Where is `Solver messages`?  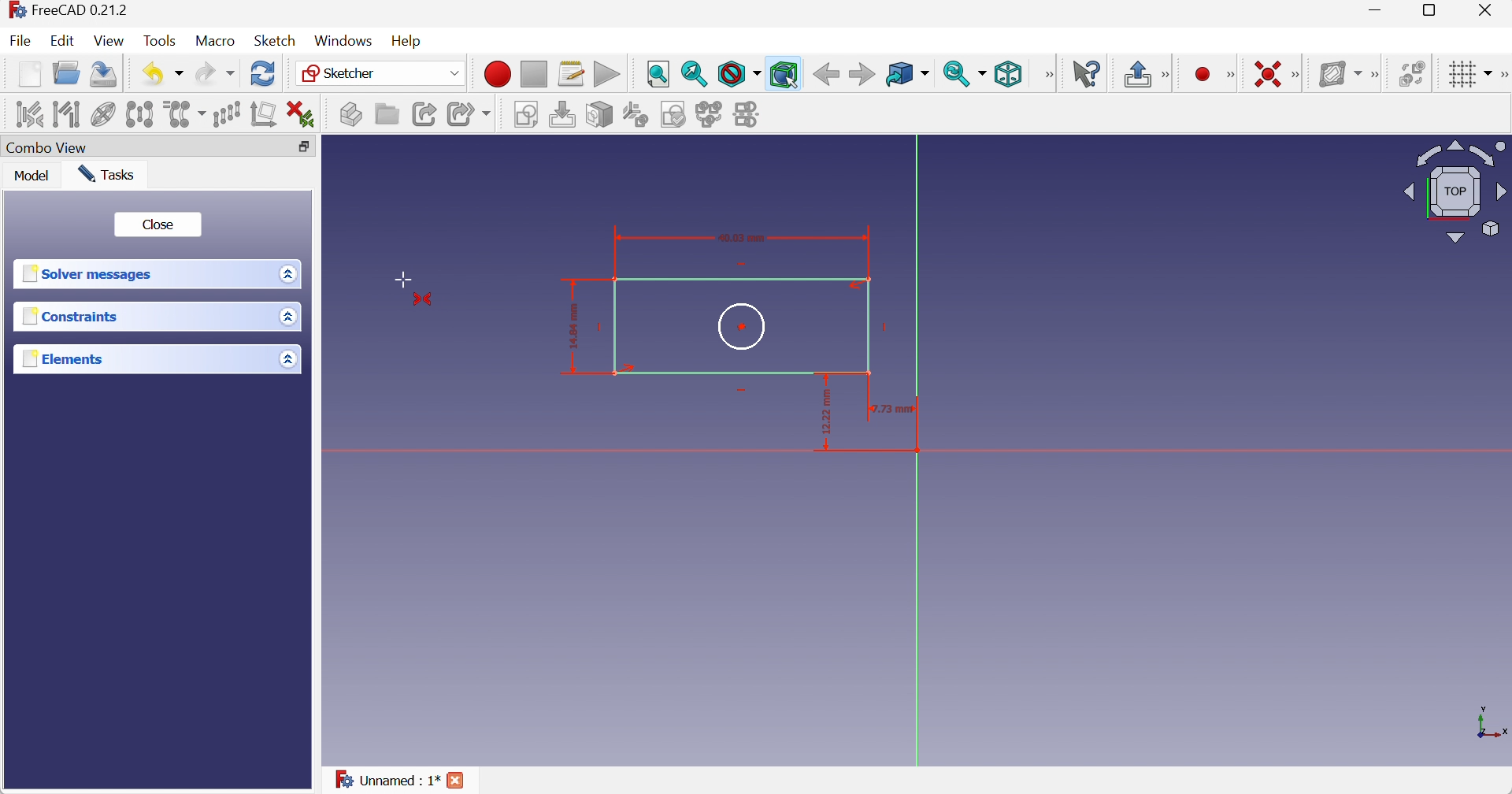 Solver messages is located at coordinates (90, 273).